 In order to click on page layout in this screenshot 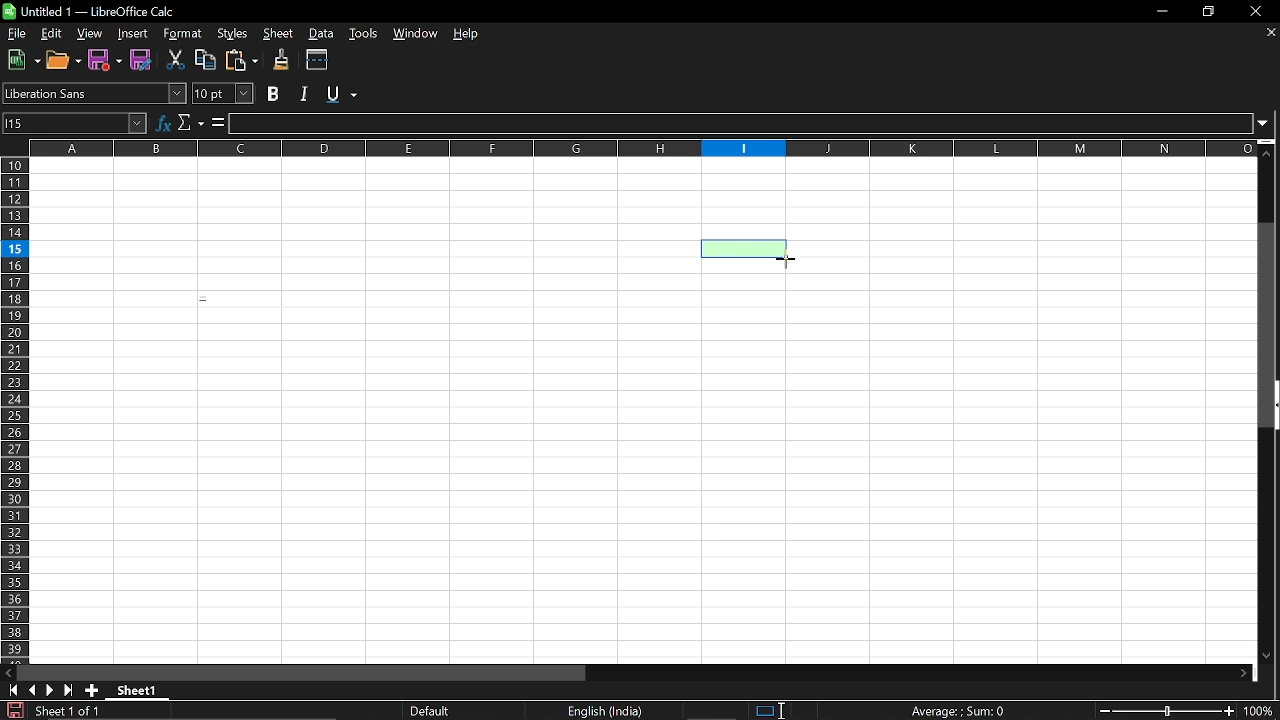, I will do `click(432, 710)`.